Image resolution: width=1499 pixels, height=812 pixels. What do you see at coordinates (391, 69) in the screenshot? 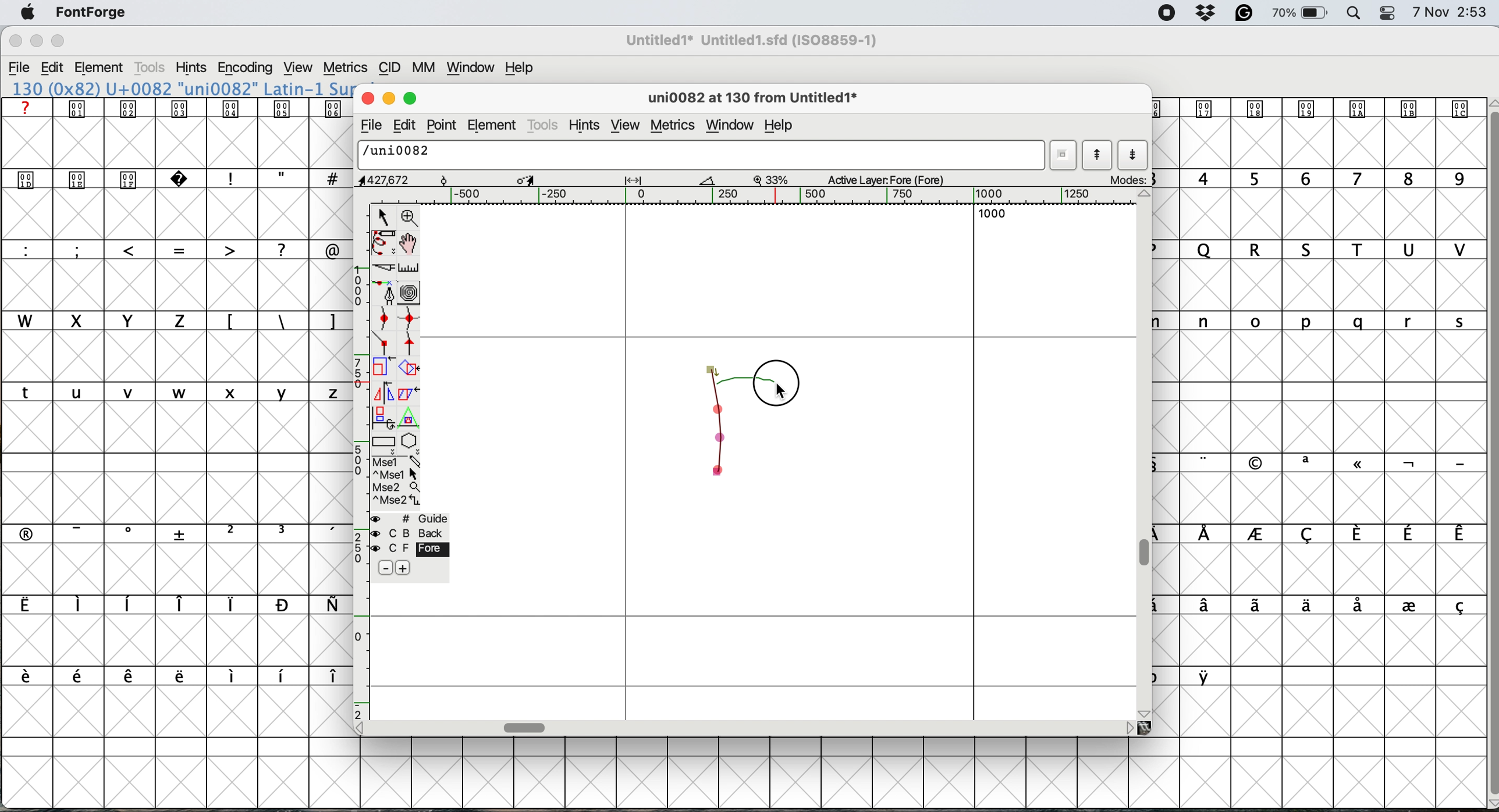
I see `cid` at bounding box center [391, 69].